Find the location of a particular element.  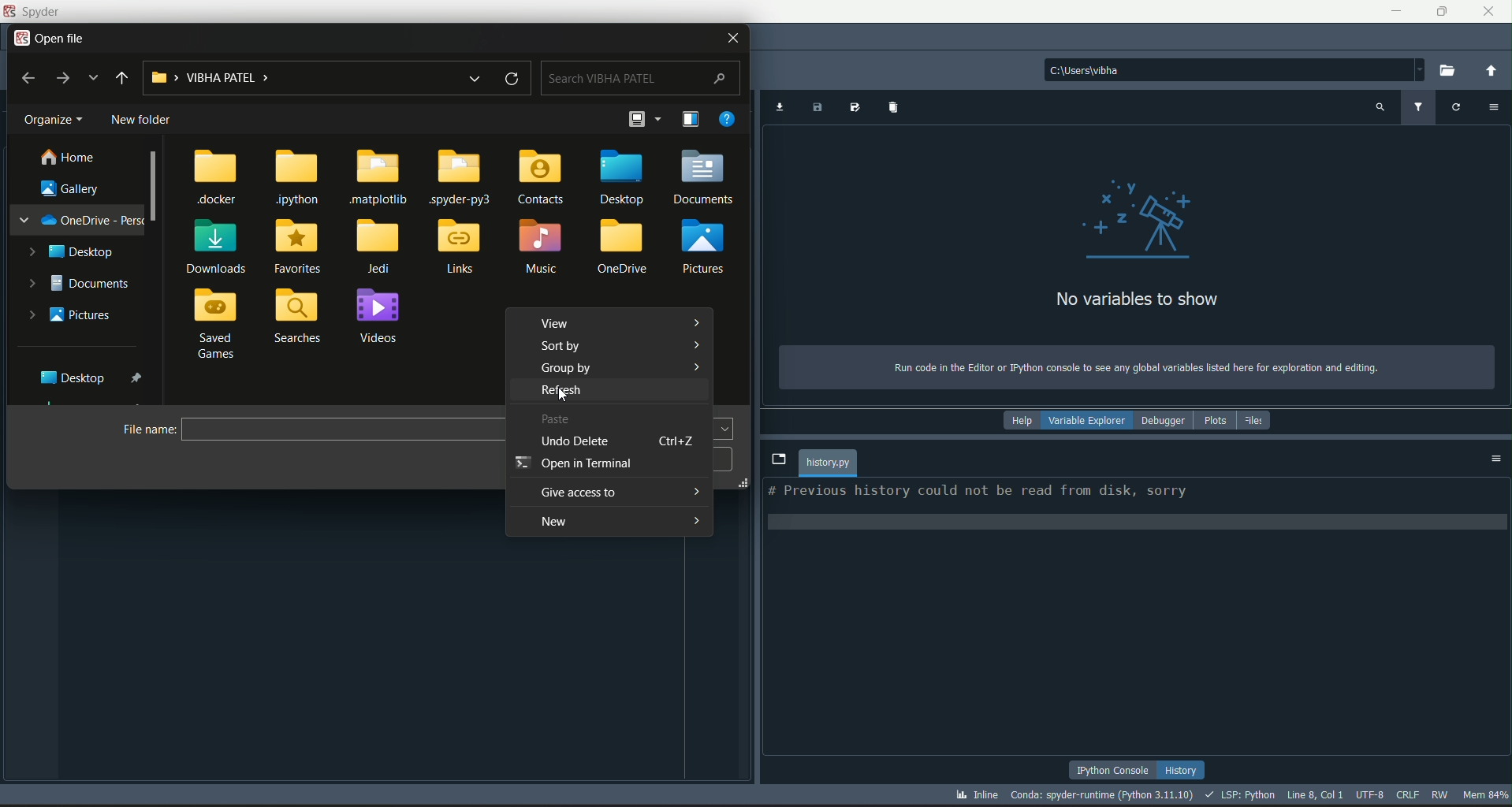

text is located at coordinates (1137, 299).